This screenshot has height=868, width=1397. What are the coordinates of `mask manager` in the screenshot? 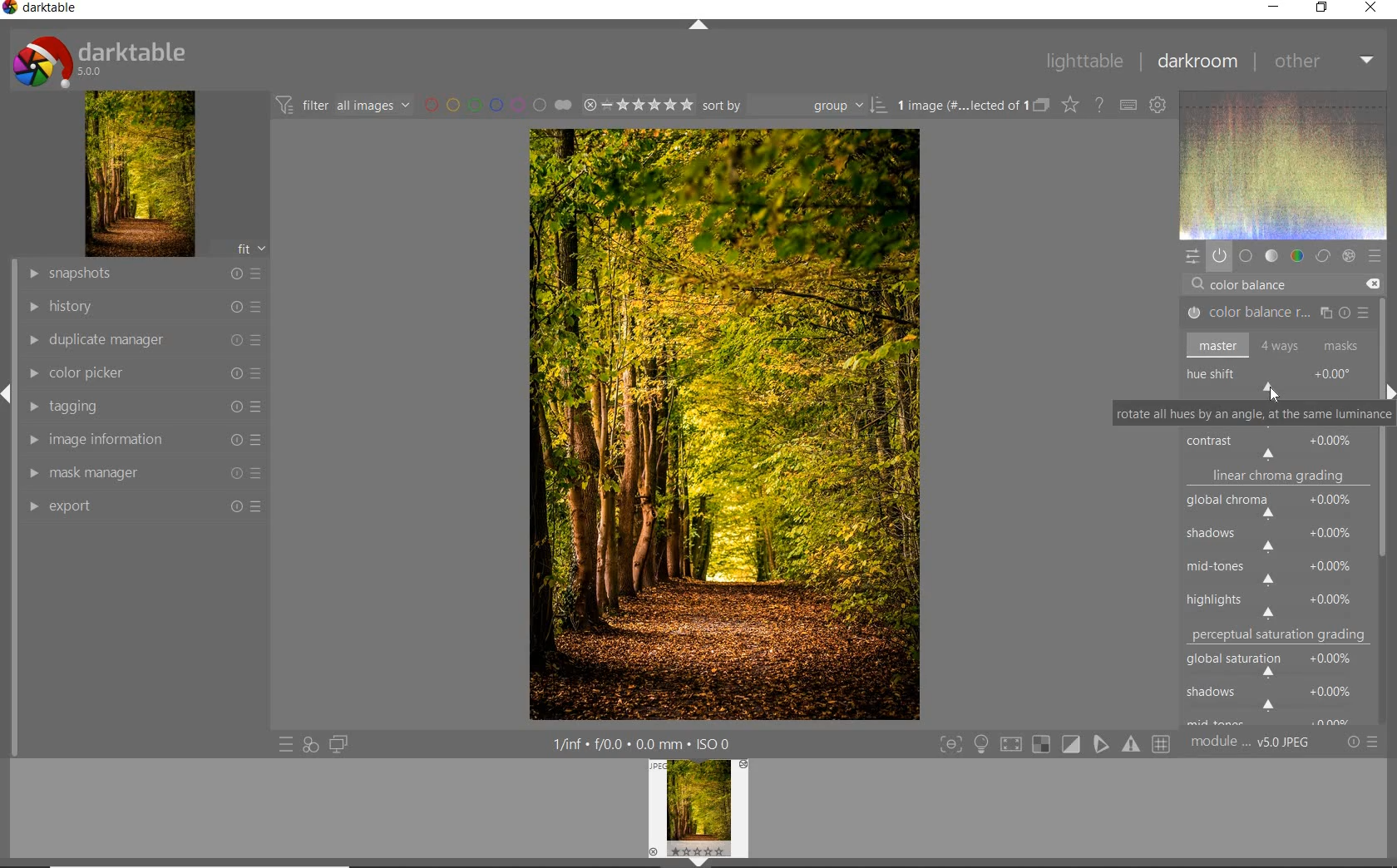 It's located at (146, 473).